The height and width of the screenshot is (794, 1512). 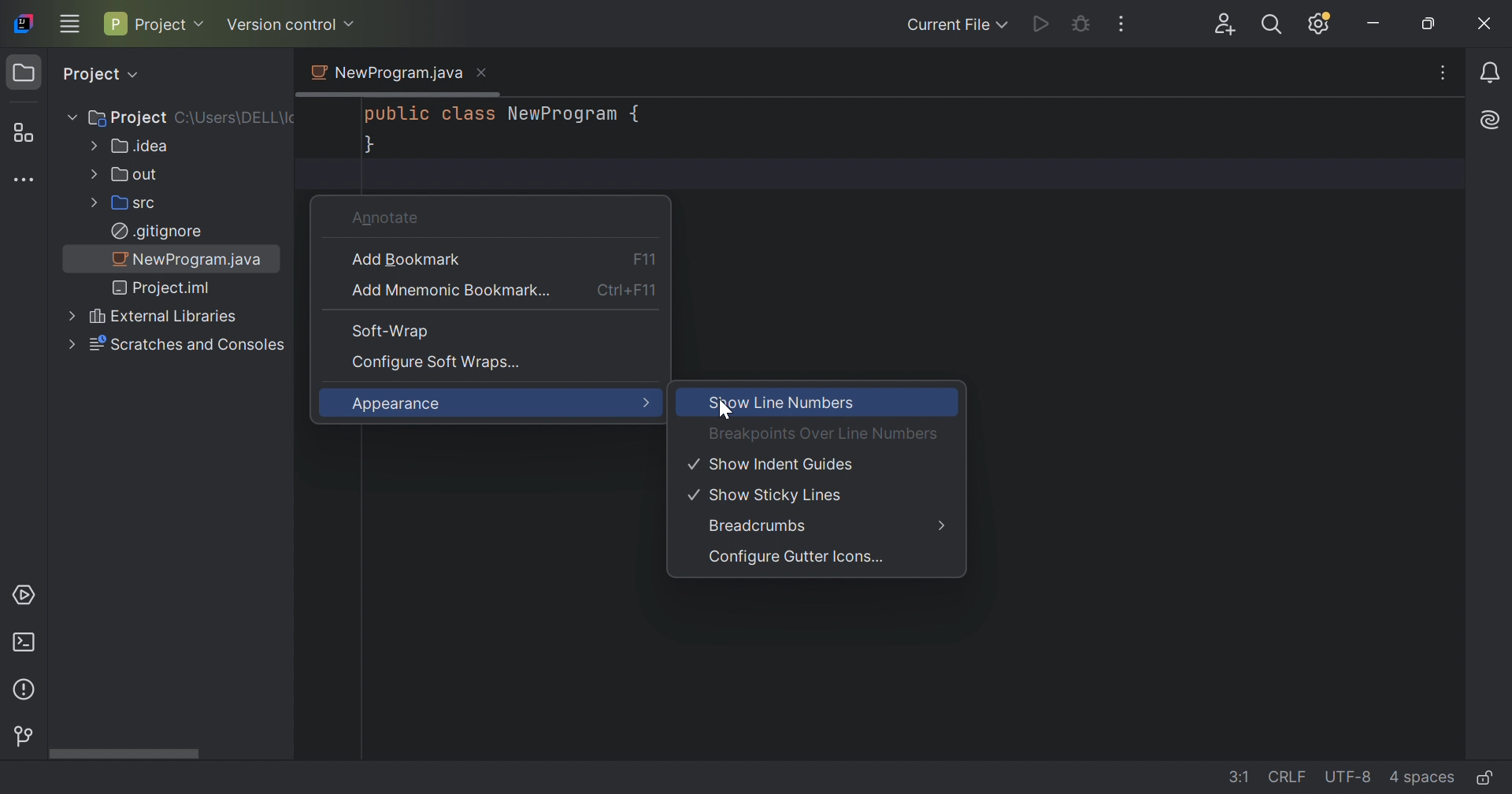 I want to click on More actions, so click(x=1123, y=25).